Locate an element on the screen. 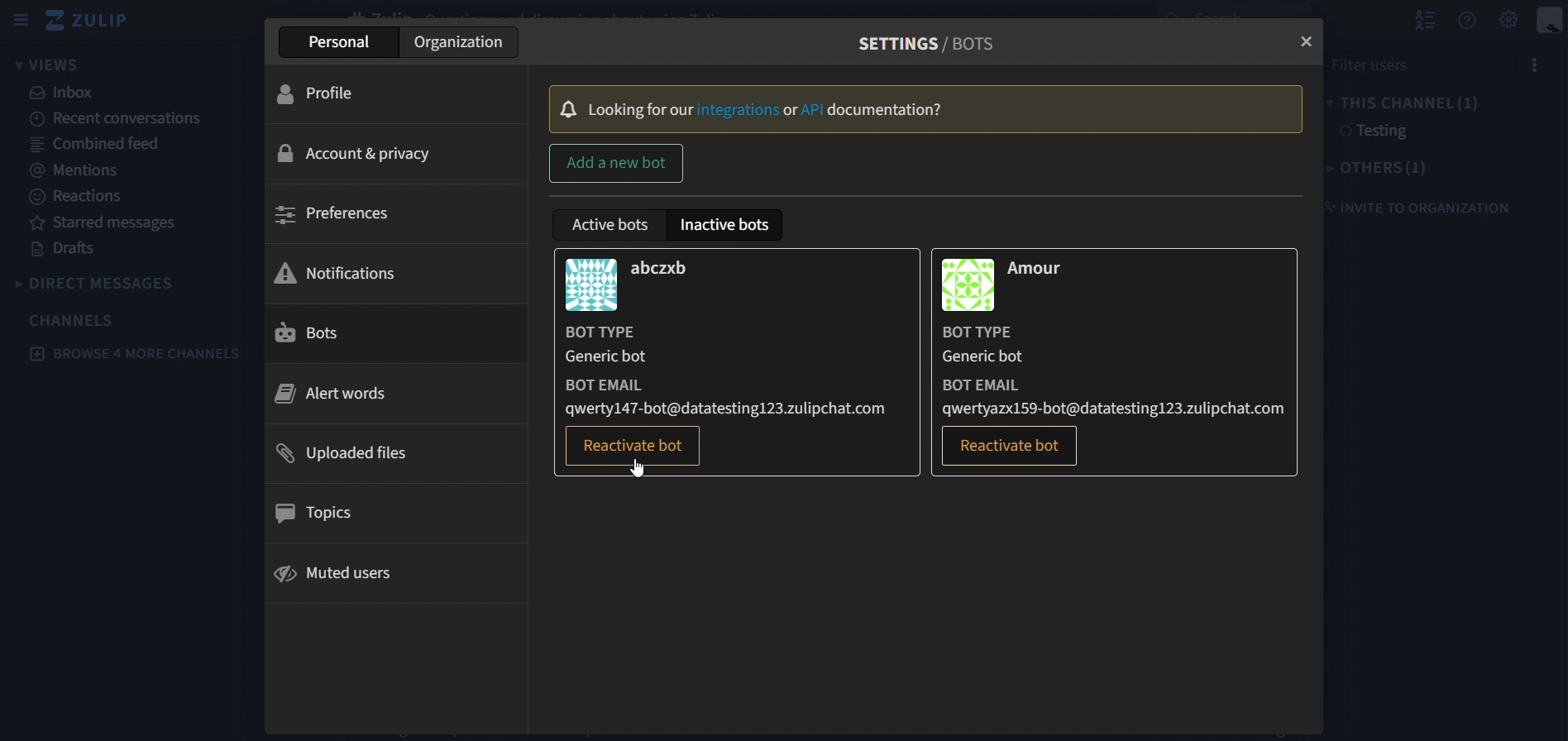  filter users is located at coordinates (1405, 64).